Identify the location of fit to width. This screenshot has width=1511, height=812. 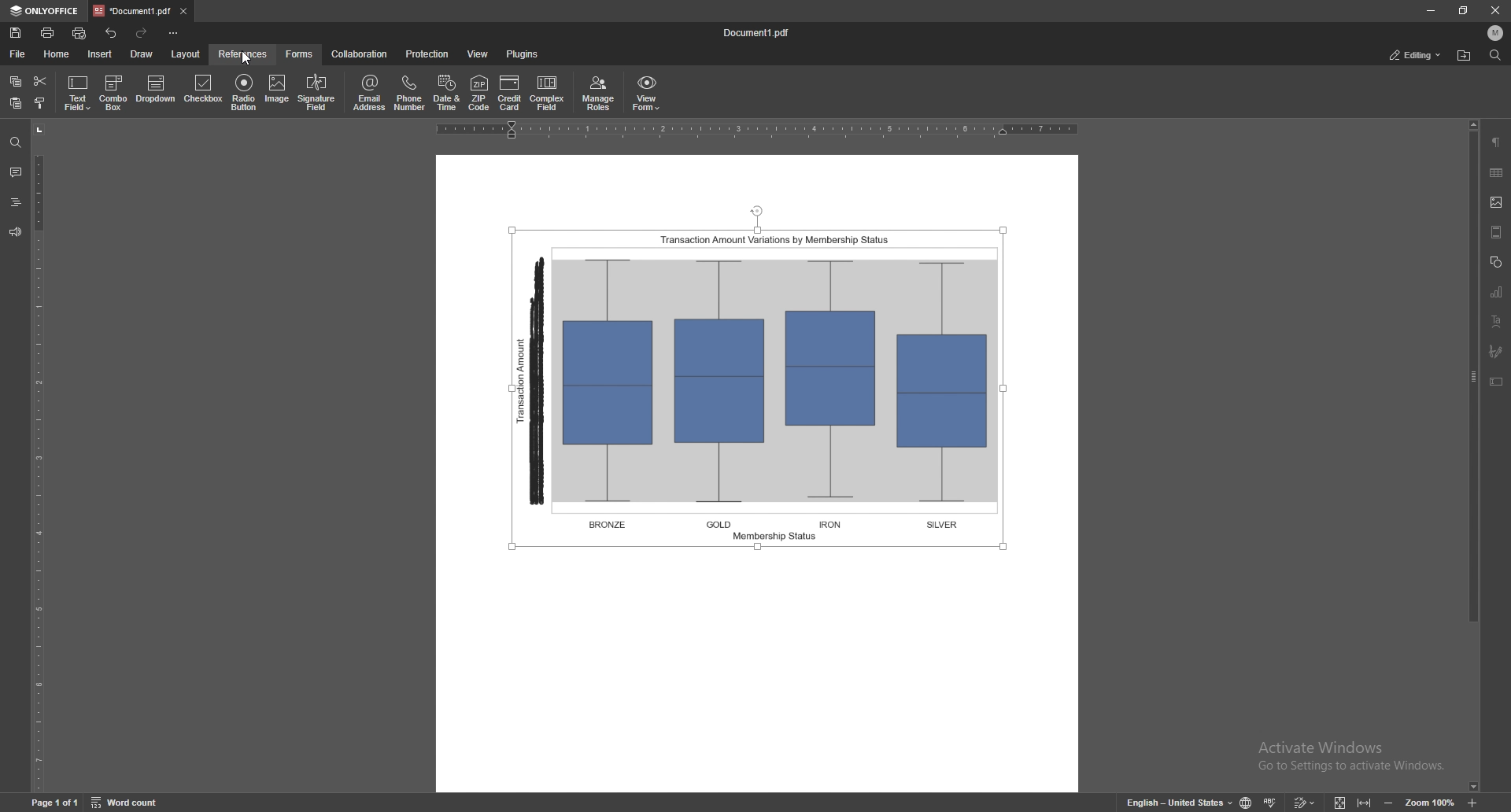
(1365, 802).